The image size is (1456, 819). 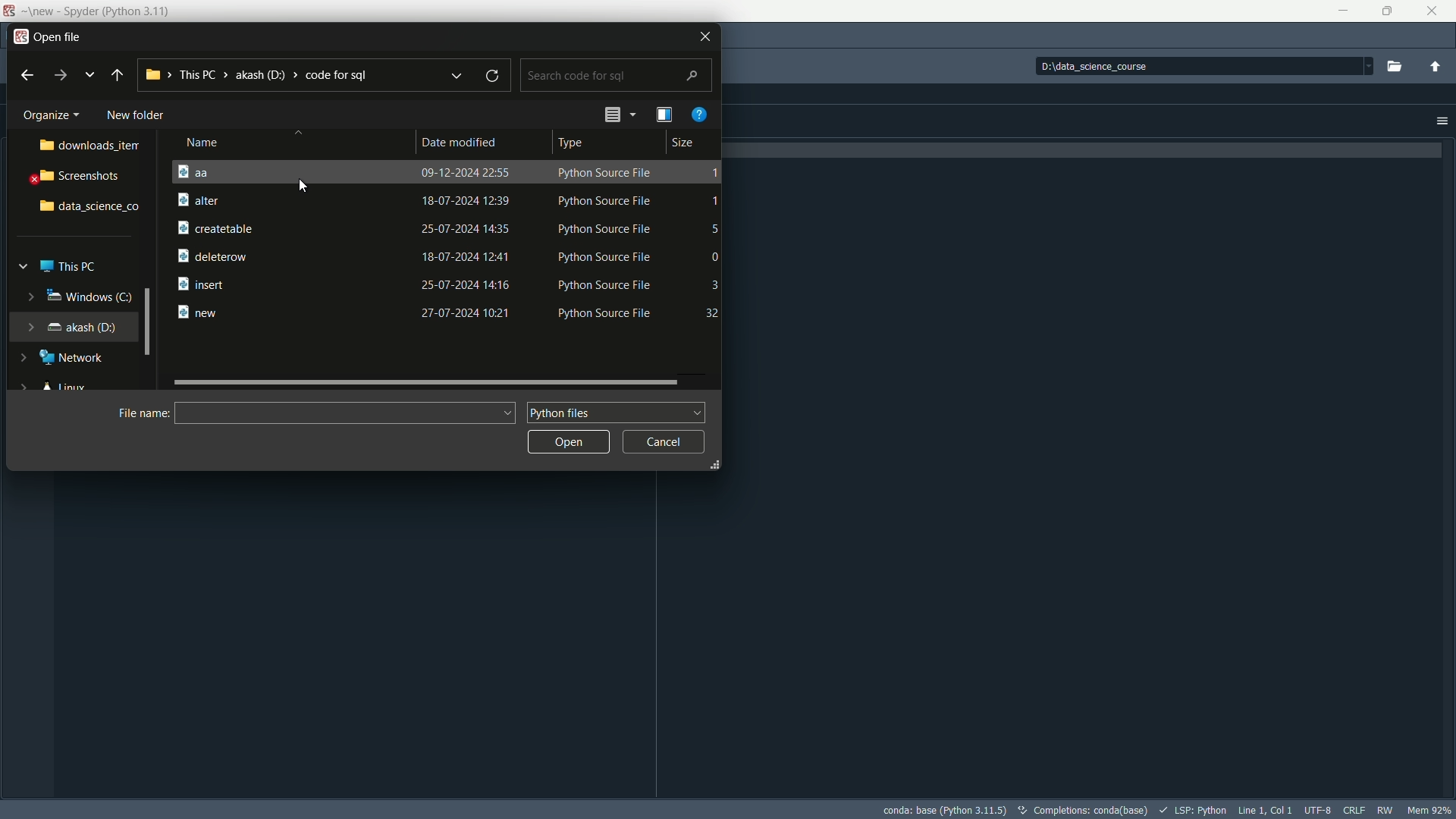 I want to click on browse a working directory, so click(x=1392, y=65).